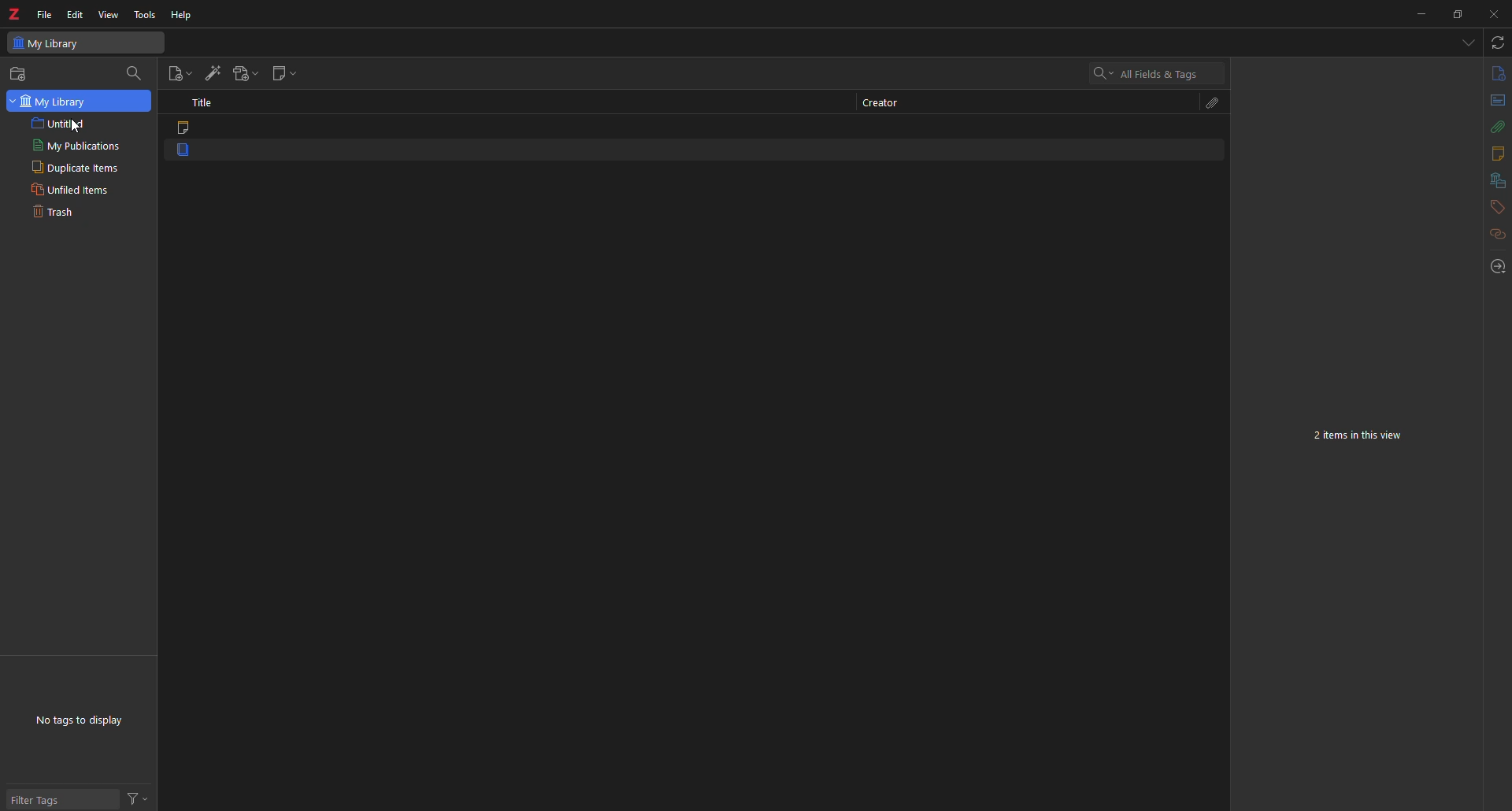 The image size is (1512, 811). Describe the element at coordinates (74, 146) in the screenshot. I see `my publications` at that location.